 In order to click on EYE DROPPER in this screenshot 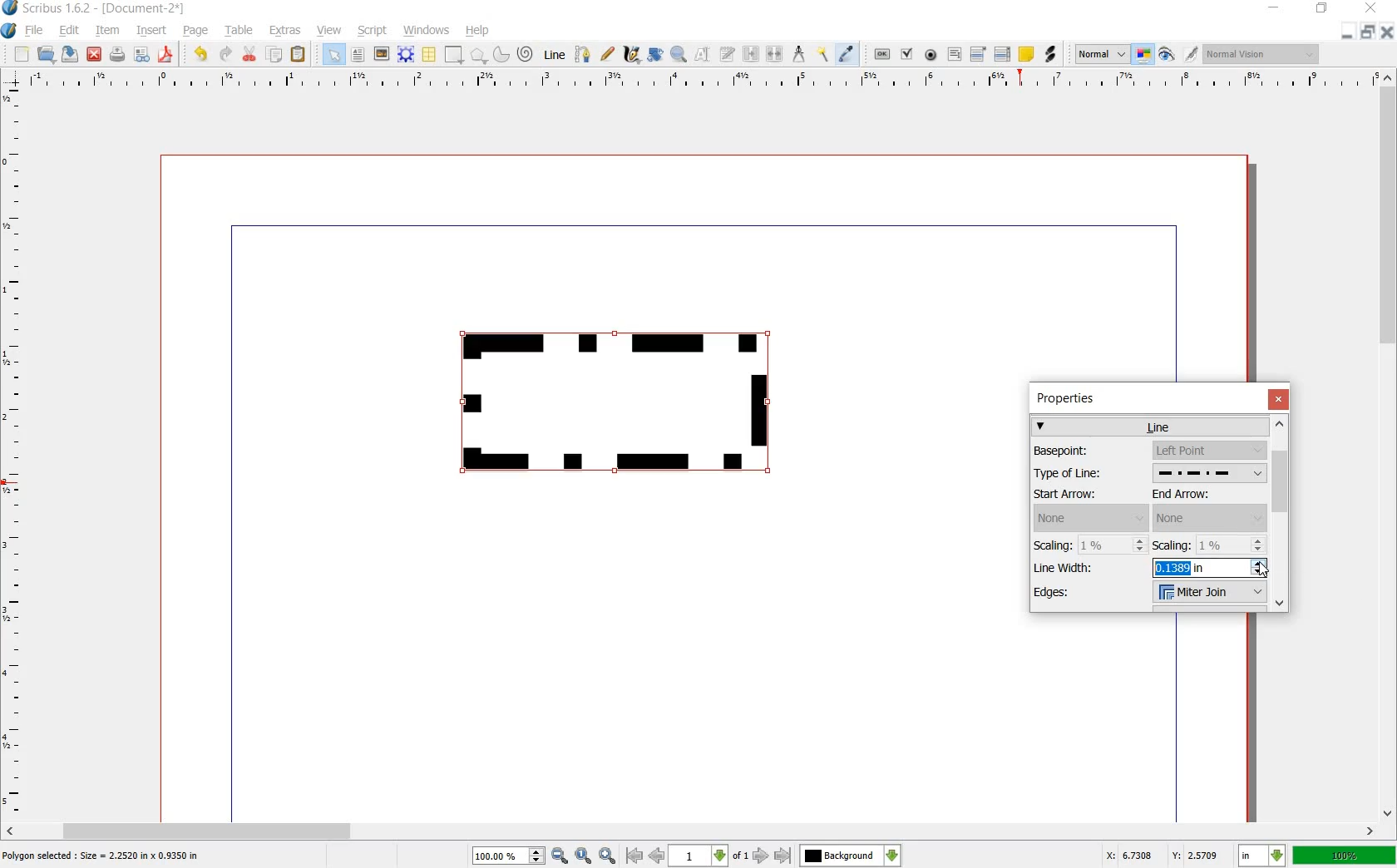, I will do `click(849, 54)`.